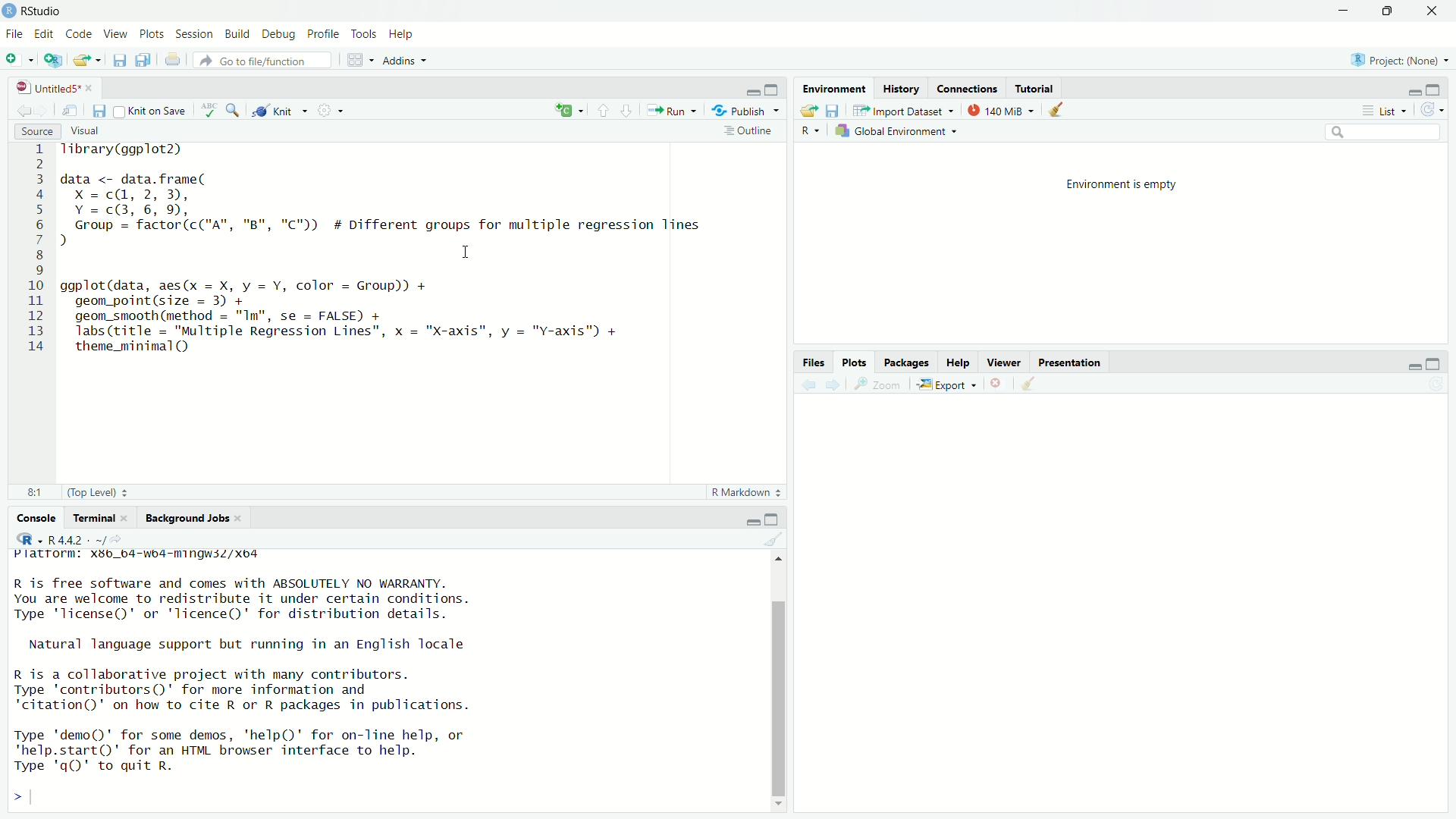 The image size is (1456, 819). What do you see at coordinates (52, 61) in the screenshot?
I see `add script` at bounding box center [52, 61].